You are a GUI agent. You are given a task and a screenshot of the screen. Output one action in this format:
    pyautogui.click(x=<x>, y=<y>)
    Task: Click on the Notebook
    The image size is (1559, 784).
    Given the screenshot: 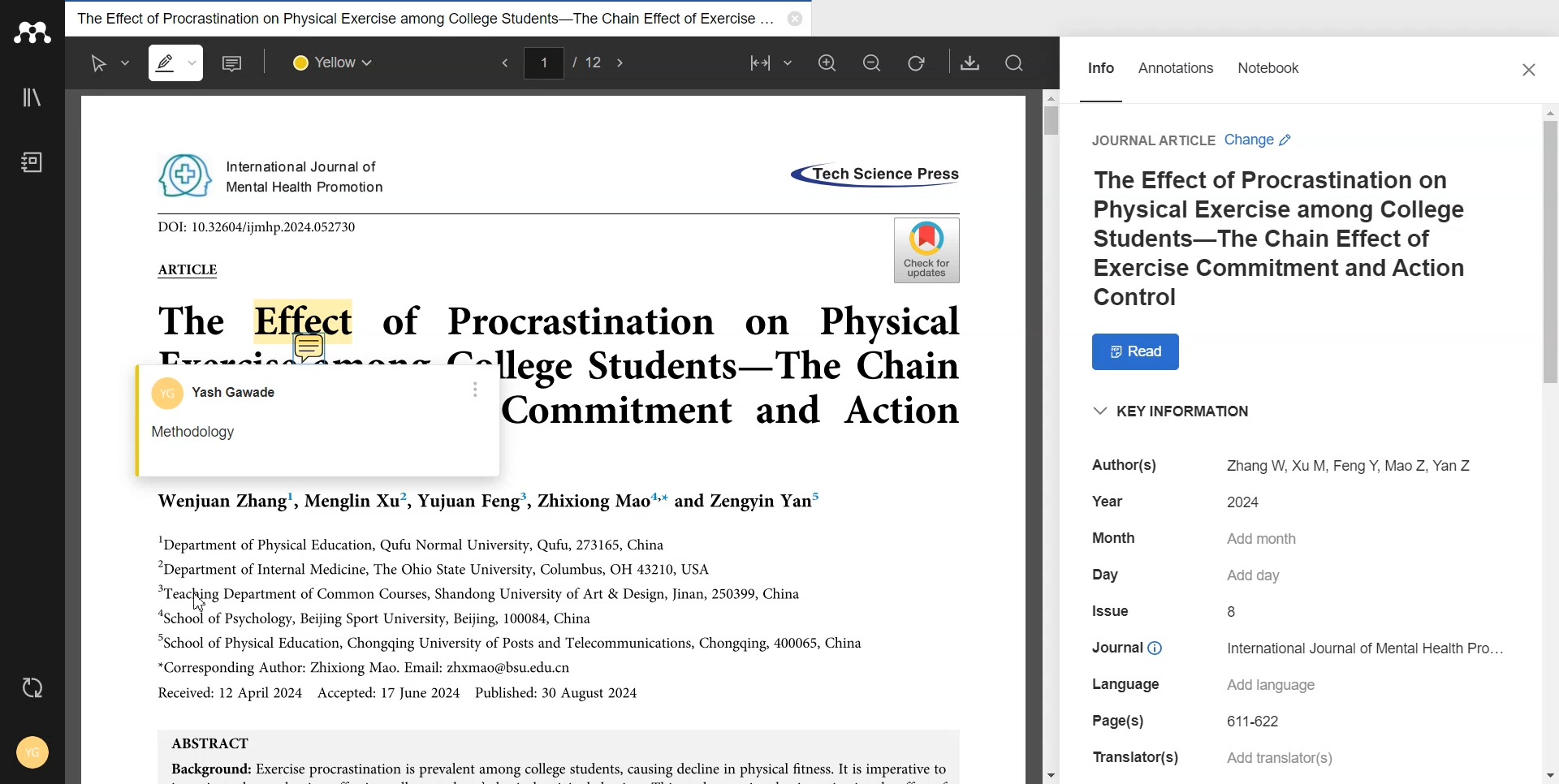 What is the action you would take?
    pyautogui.click(x=1272, y=71)
    